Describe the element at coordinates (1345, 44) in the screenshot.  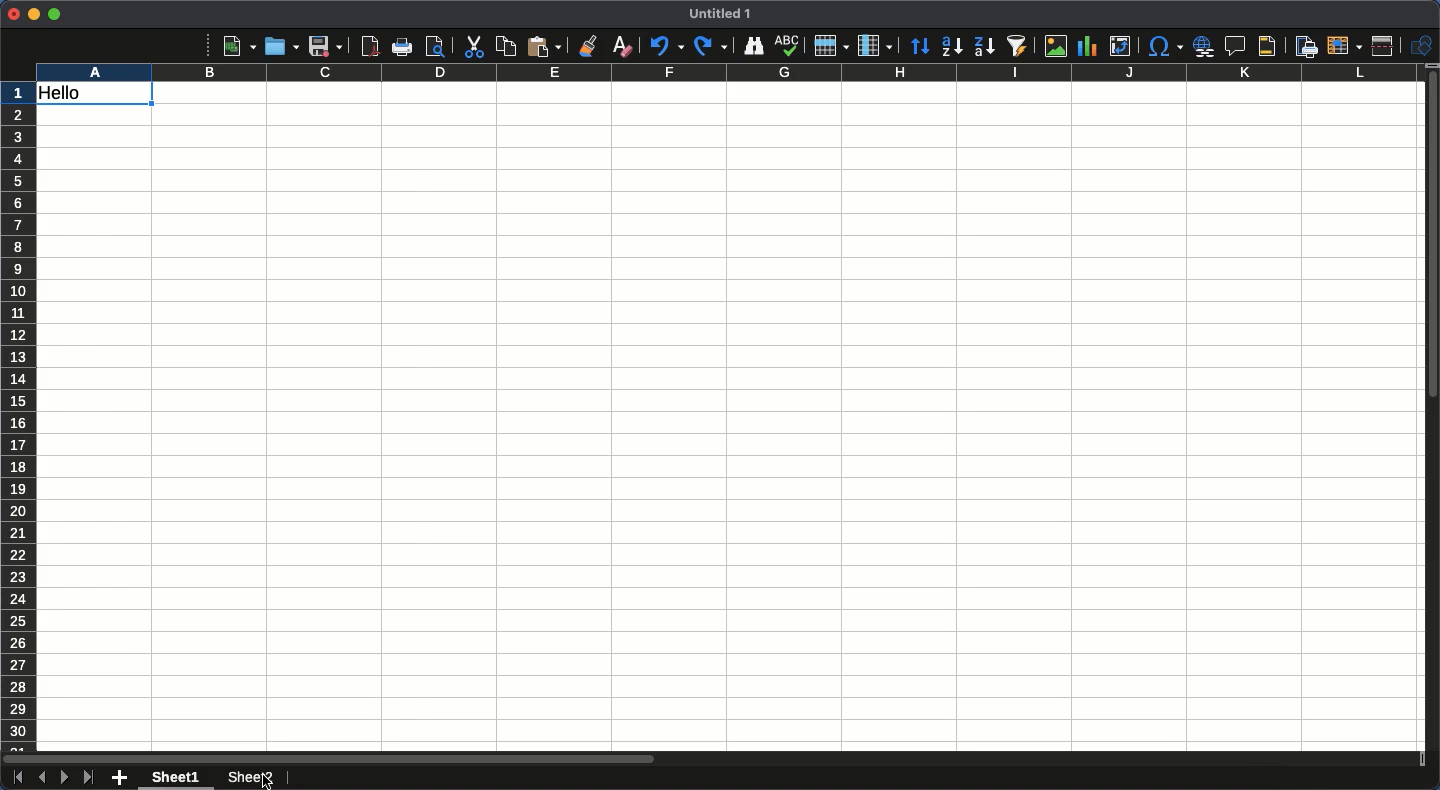
I see `Freeze rows and columns` at that location.